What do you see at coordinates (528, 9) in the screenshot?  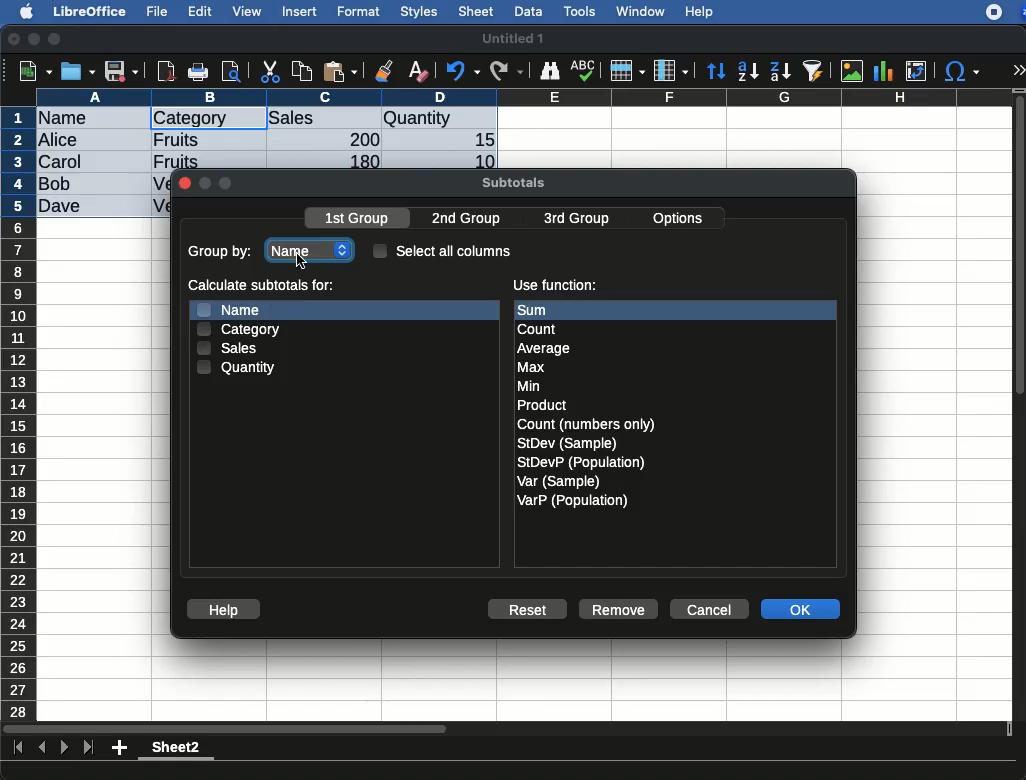 I see `data` at bounding box center [528, 9].